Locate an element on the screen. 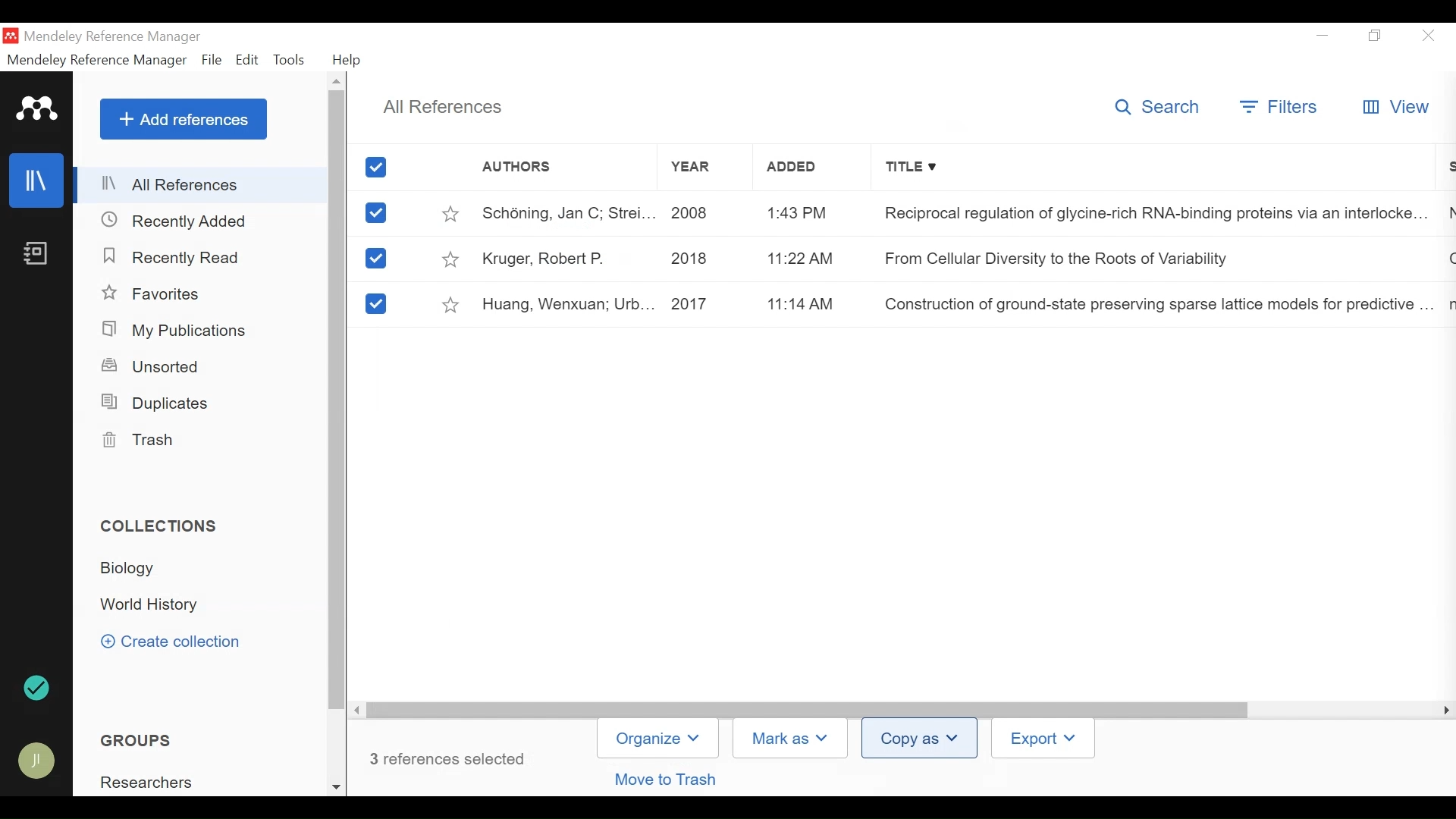 The image size is (1456, 819). minimize is located at coordinates (1323, 35).